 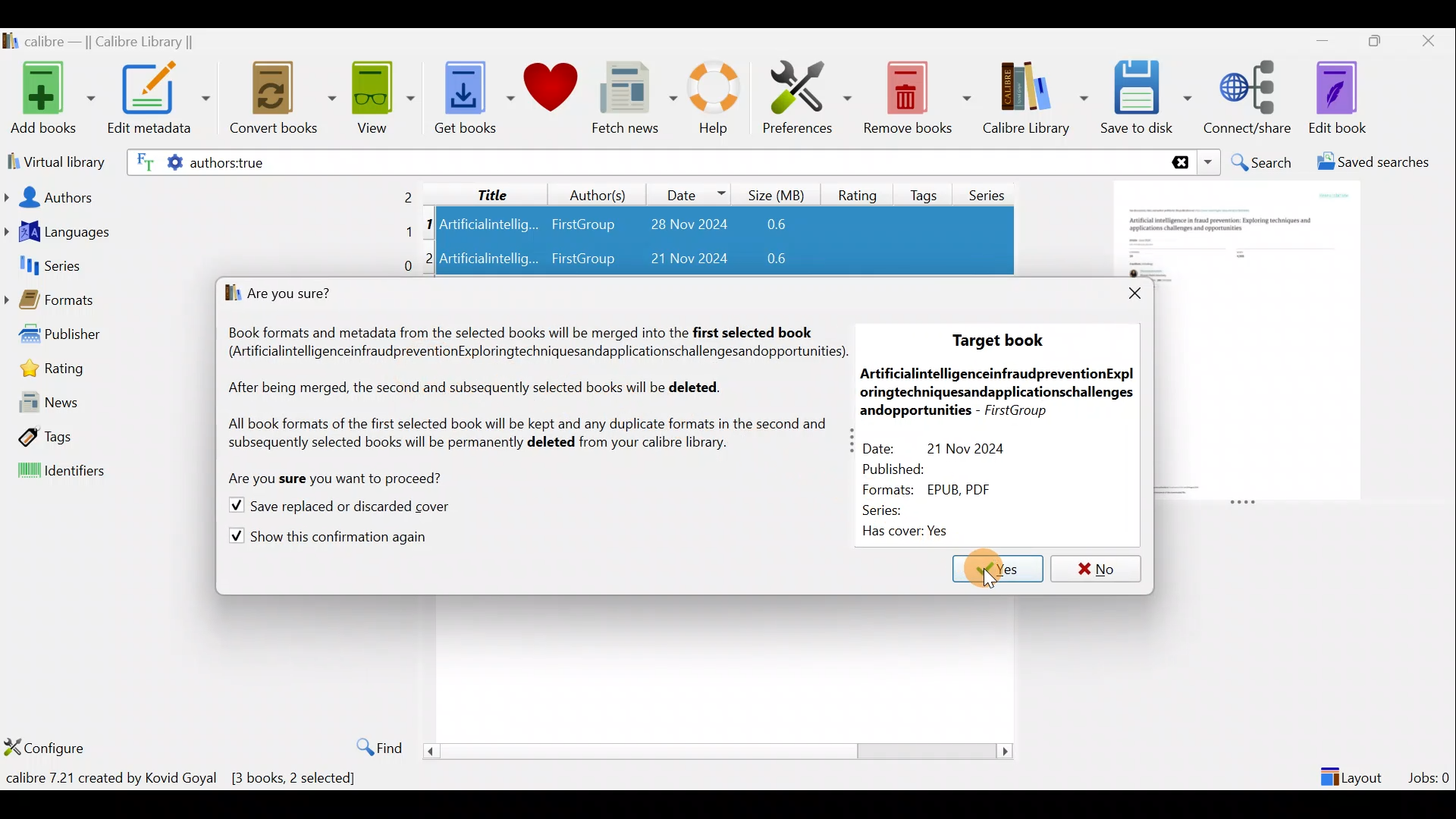 I want to click on Saved searches, so click(x=1378, y=164).